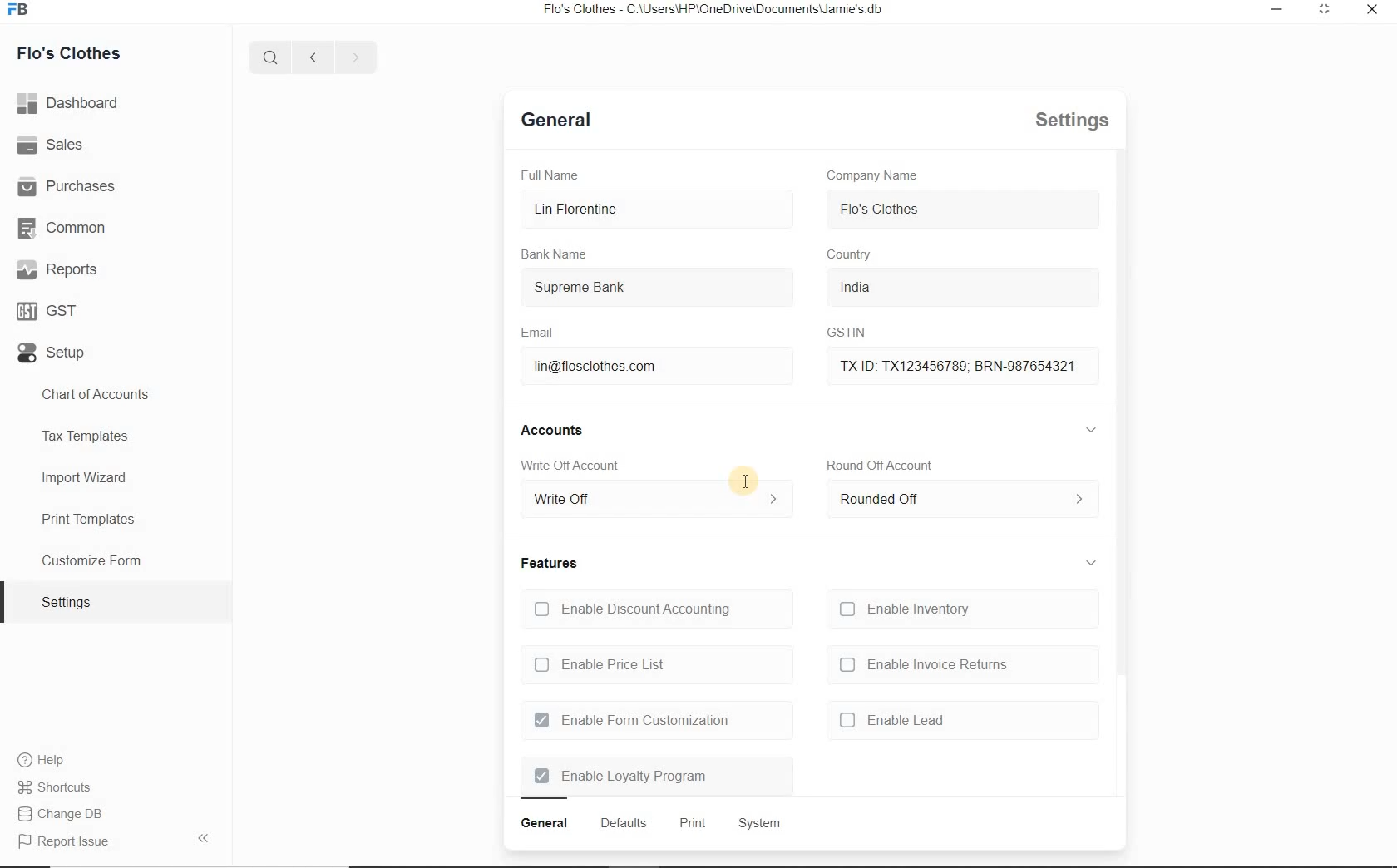  Describe the element at coordinates (571, 208) in the screenshot. I see `Lin Florentine` at that location.